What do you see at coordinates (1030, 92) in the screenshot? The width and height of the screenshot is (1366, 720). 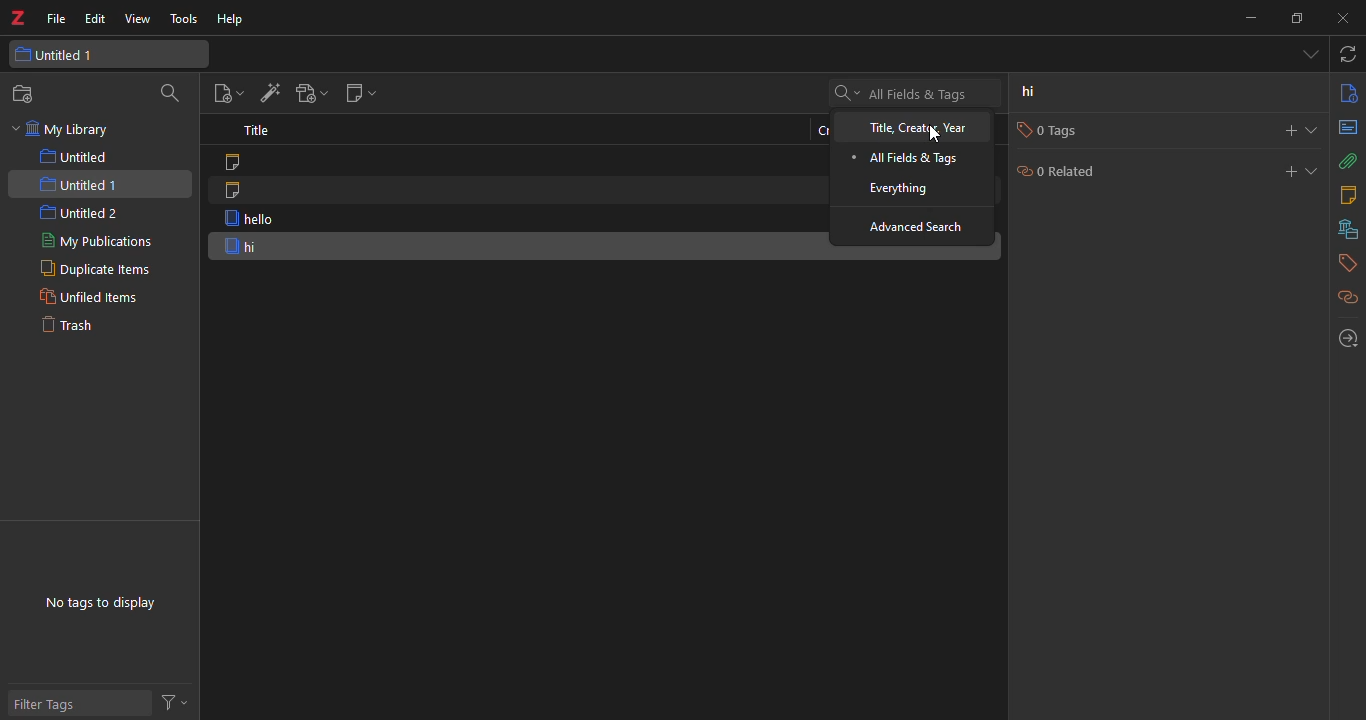 I see `hi` at bounding box center [1030, 92].